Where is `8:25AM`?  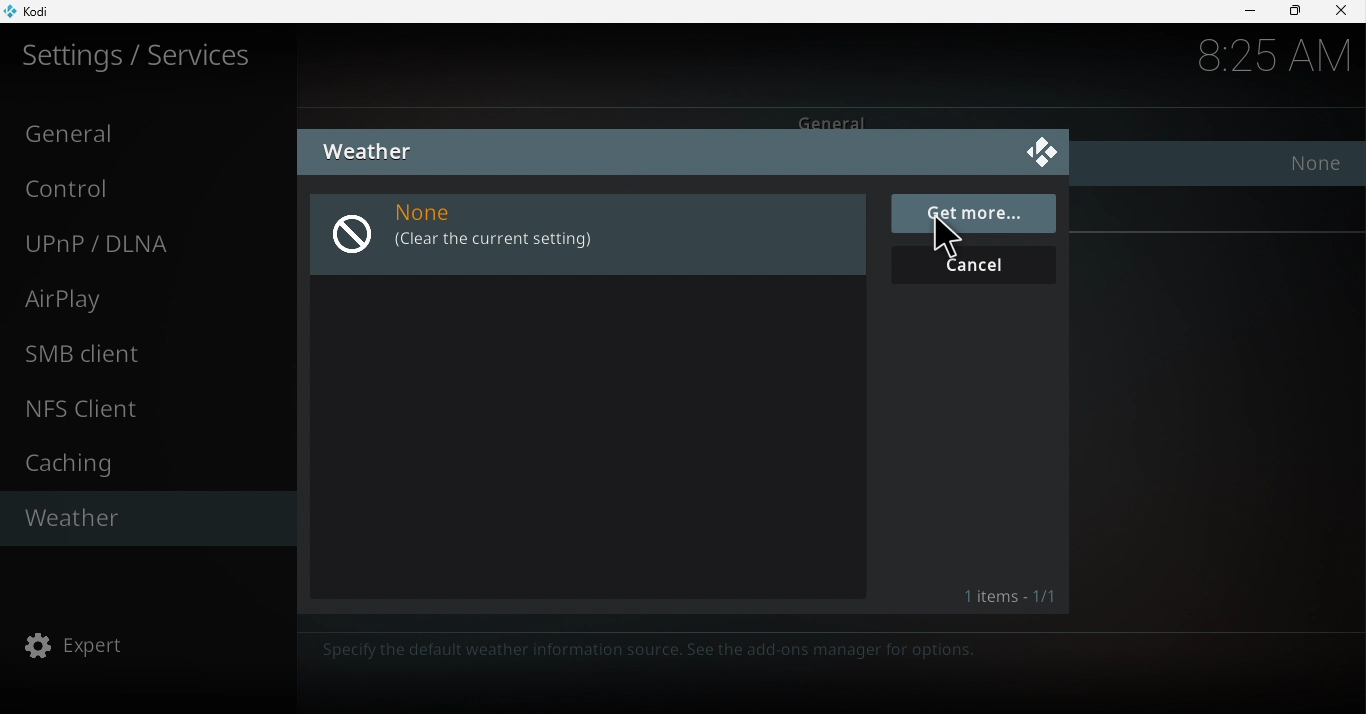
8:25AM is located at coordinates (1276, 53).